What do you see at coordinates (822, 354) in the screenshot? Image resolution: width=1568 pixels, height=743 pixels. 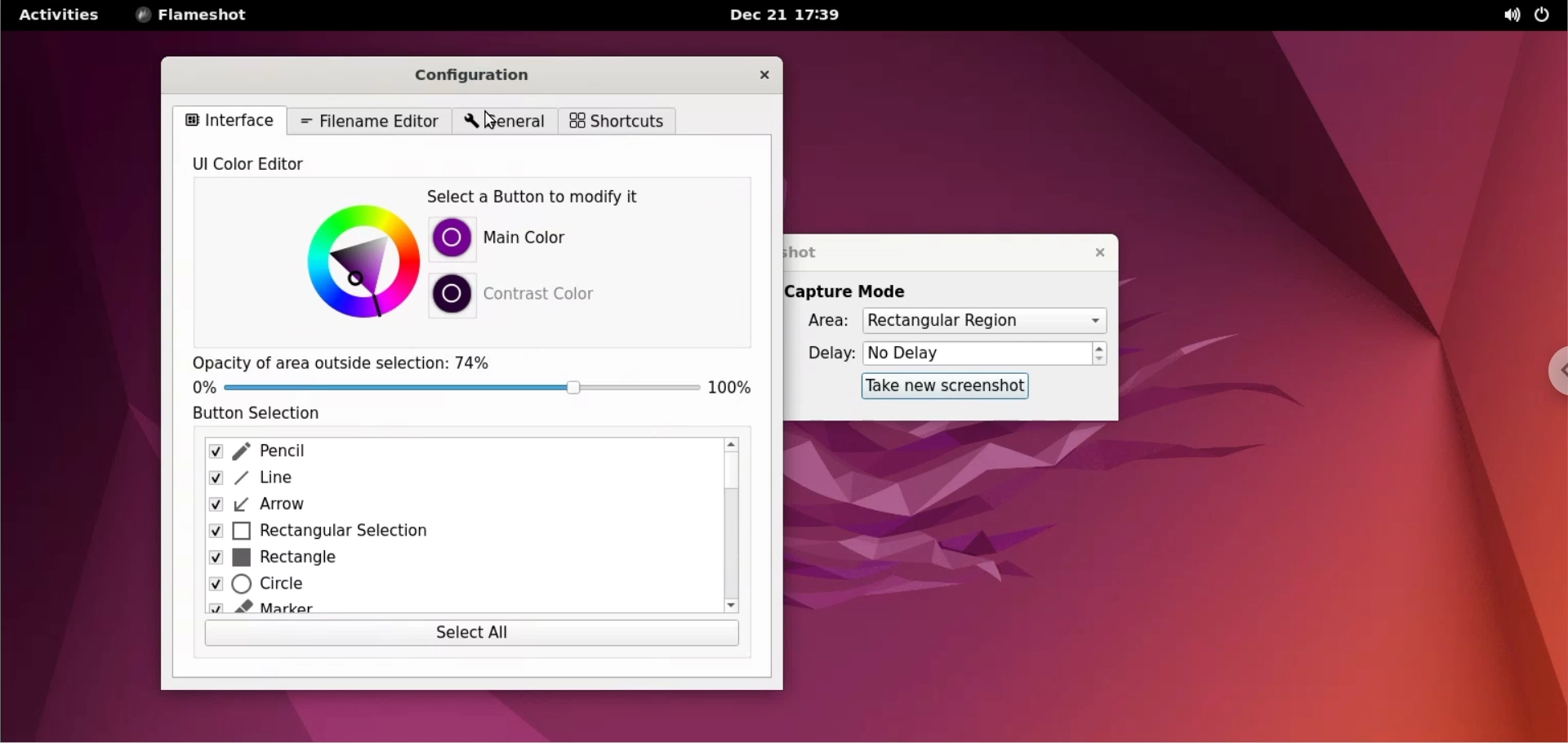 I see `delay:` at bounding box center [822, 354].